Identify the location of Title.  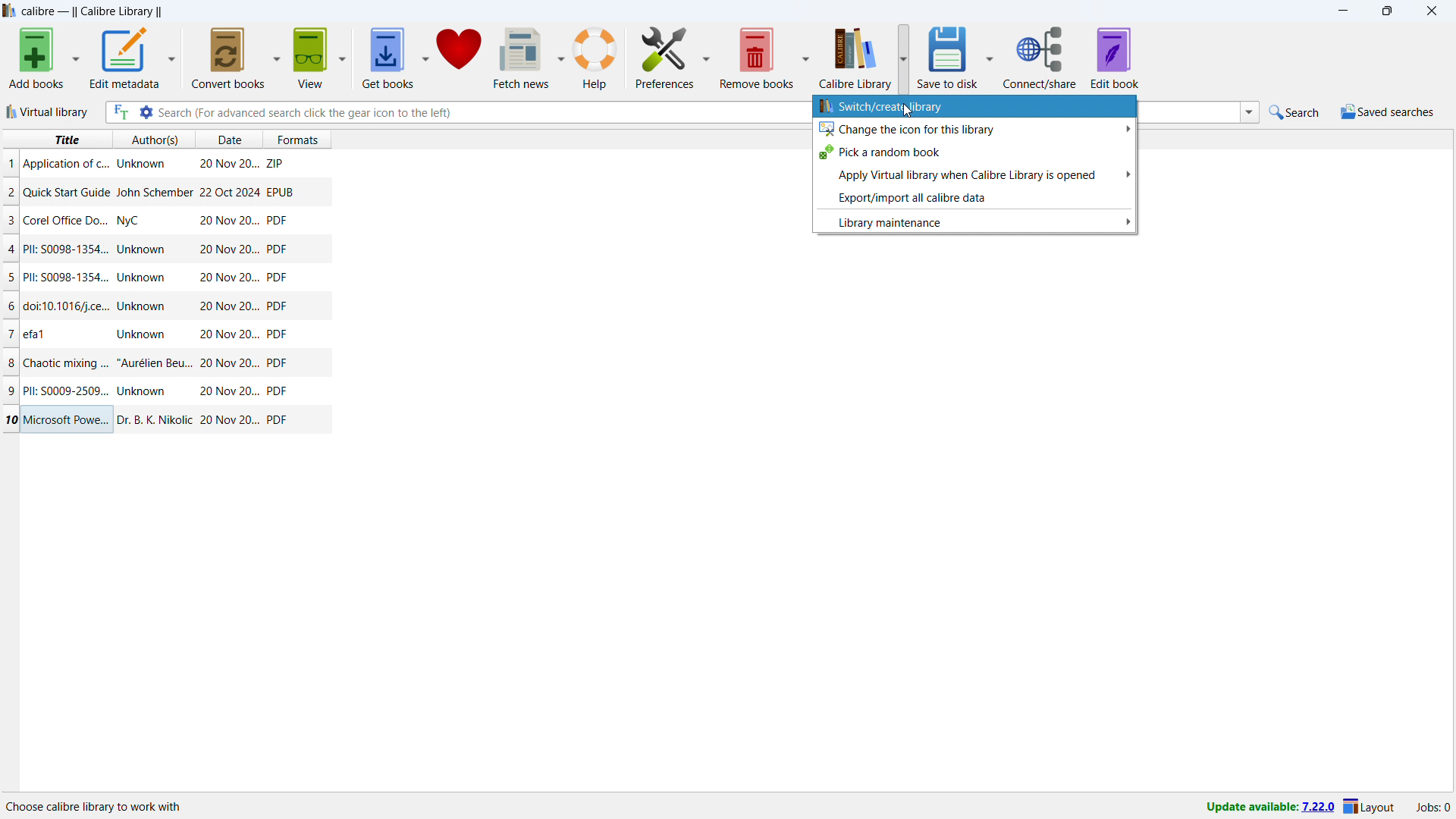
(65, 164).